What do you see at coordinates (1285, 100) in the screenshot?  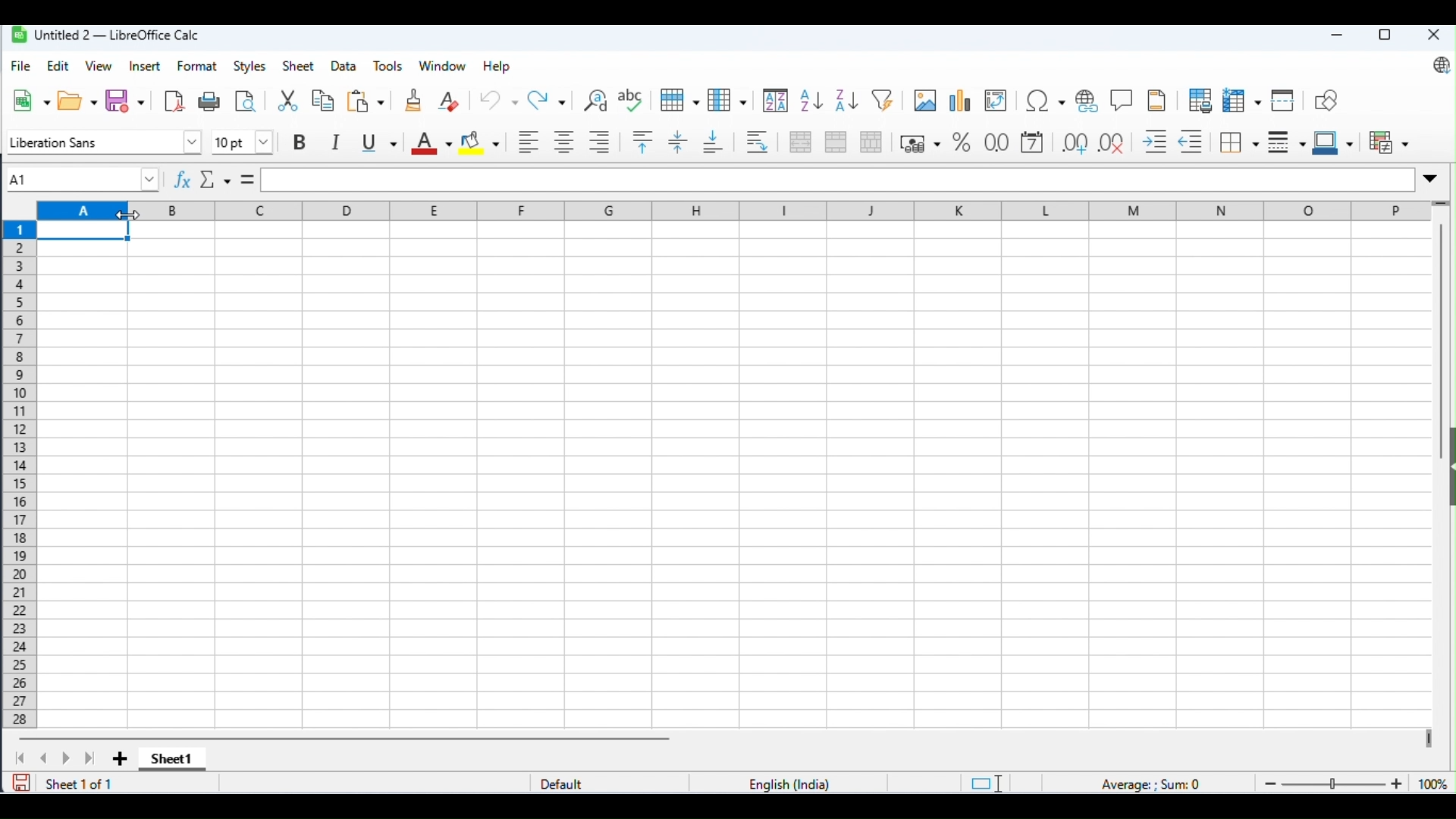 I see `split window` at bounding box center [1285, 100].